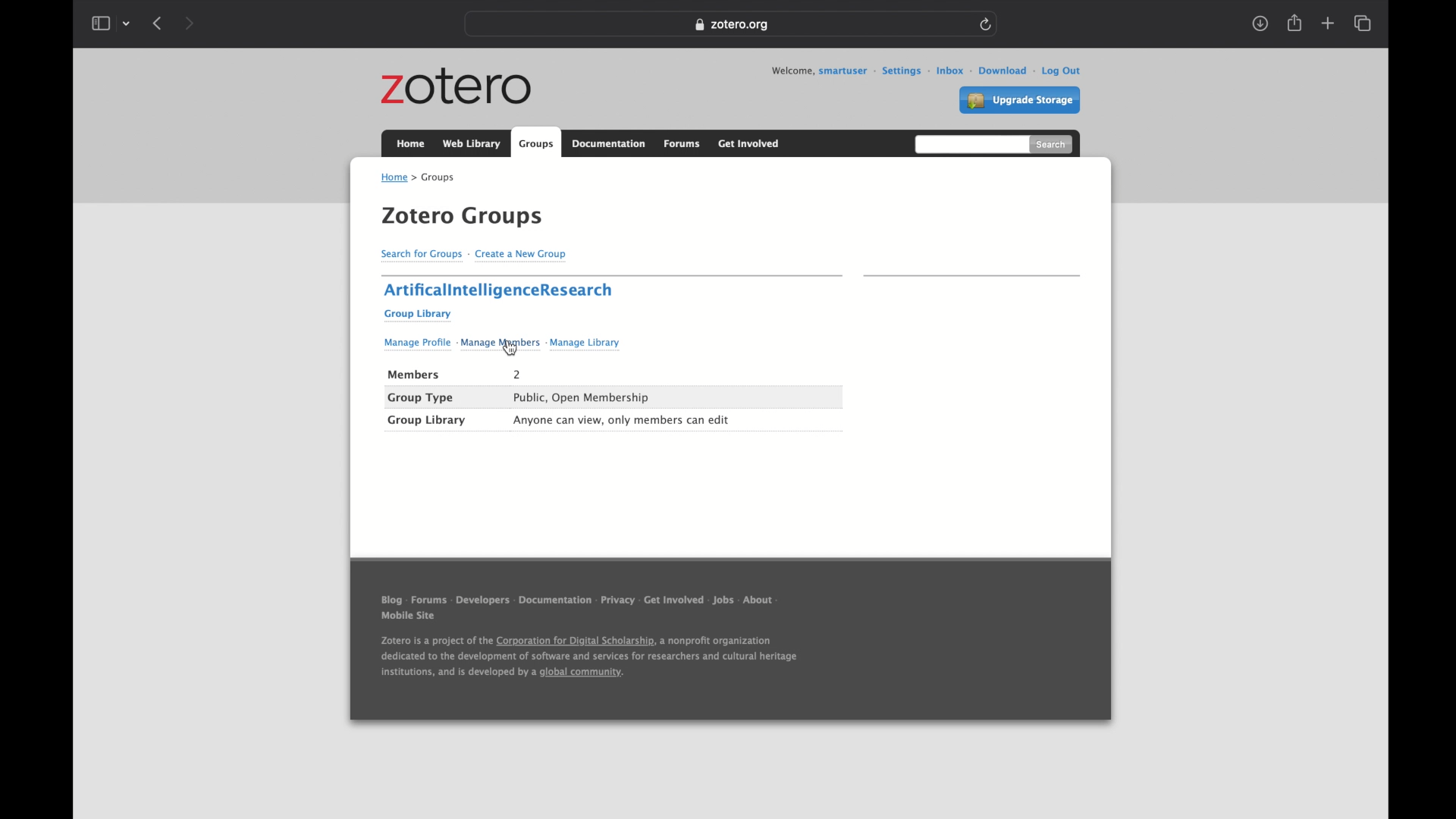  What do you see at coordinates (414, 375) in the screenshot?
I see `members` at bounding box center [414, 375].